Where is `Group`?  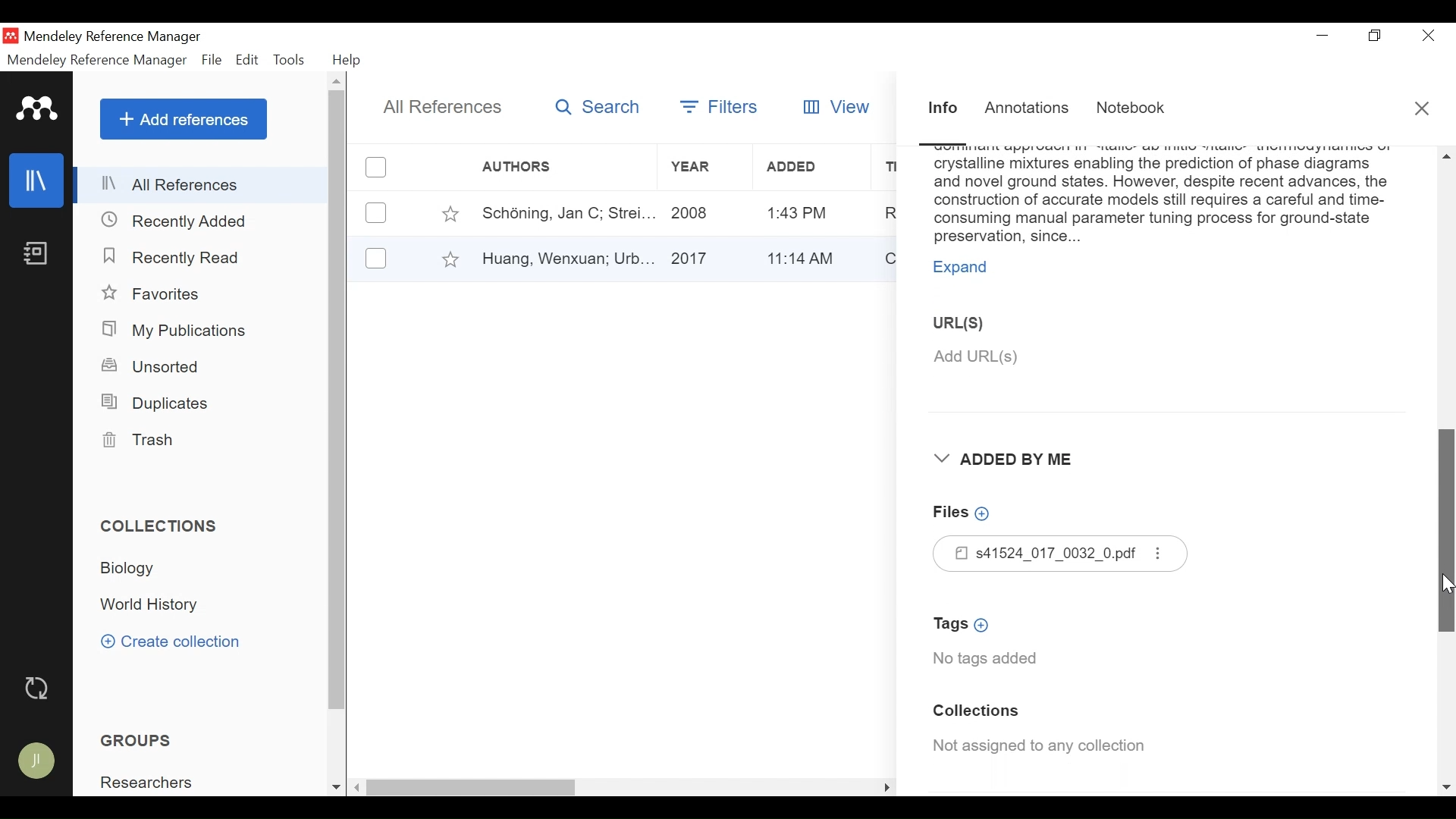 Group is located at coordinates (152, 783).